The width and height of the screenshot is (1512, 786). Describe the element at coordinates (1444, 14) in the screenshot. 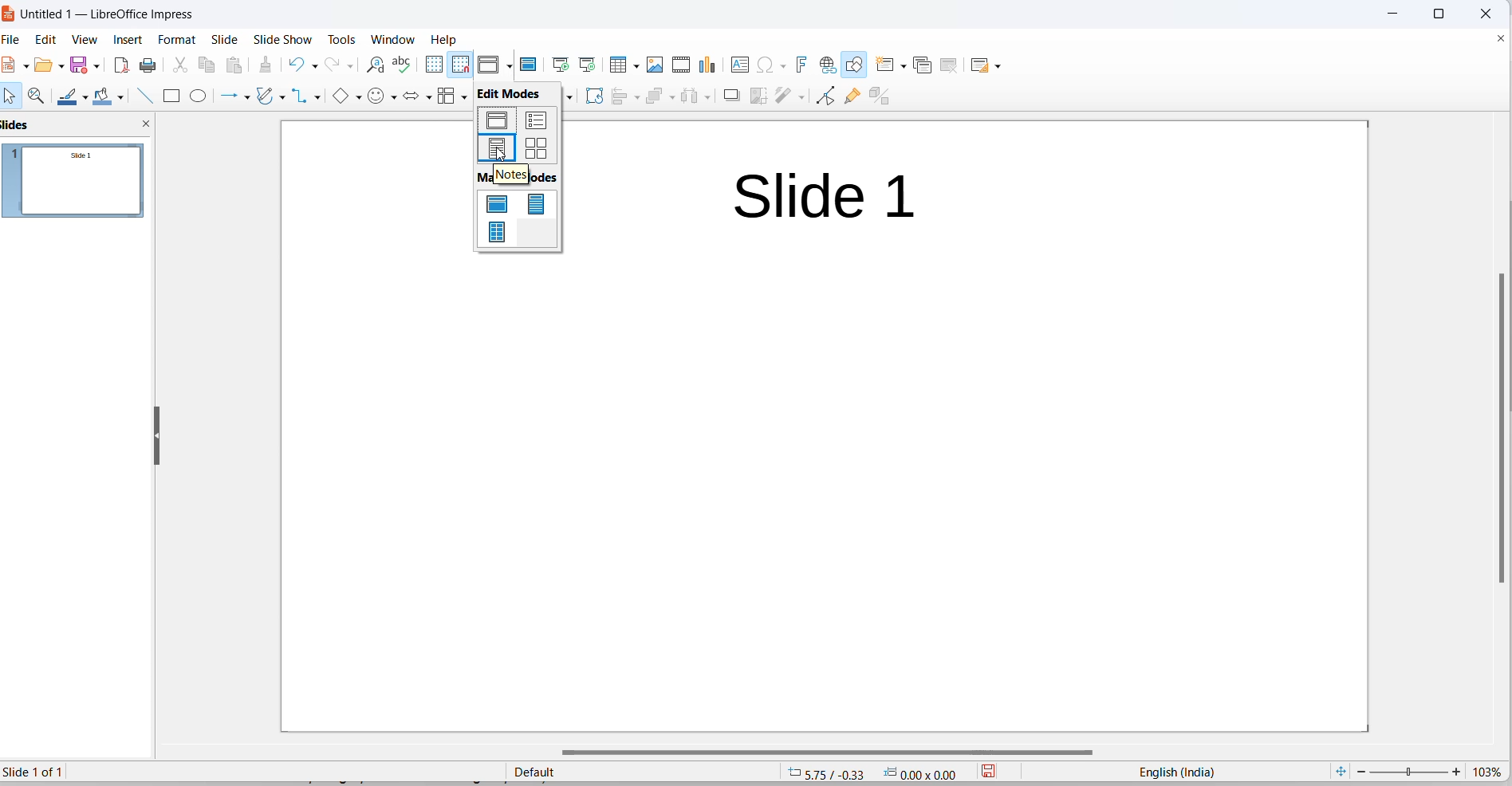

I see `maximize` at that location.